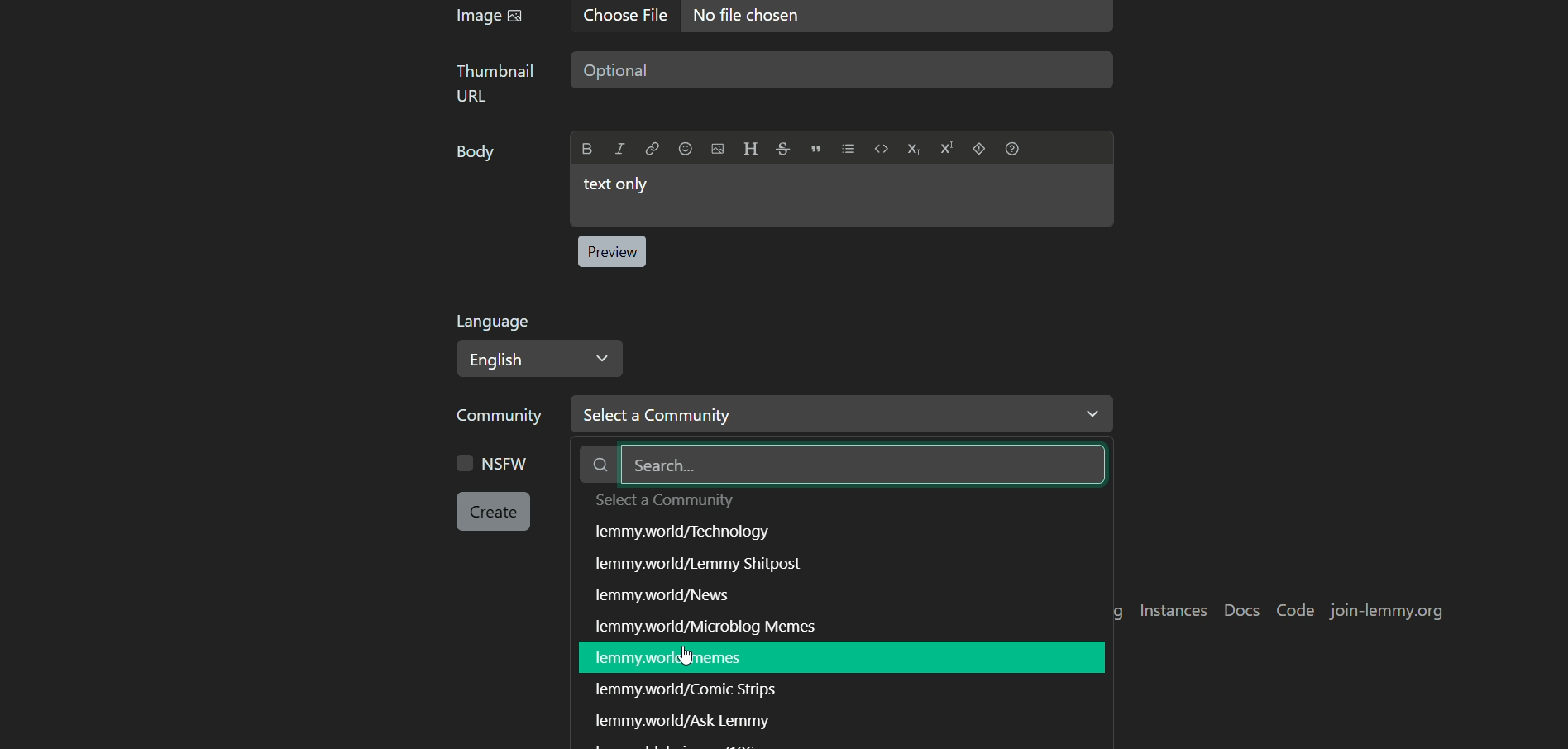 This screenshot has height=749, width=1568. I want to click on Subscript, so click(915, 150).